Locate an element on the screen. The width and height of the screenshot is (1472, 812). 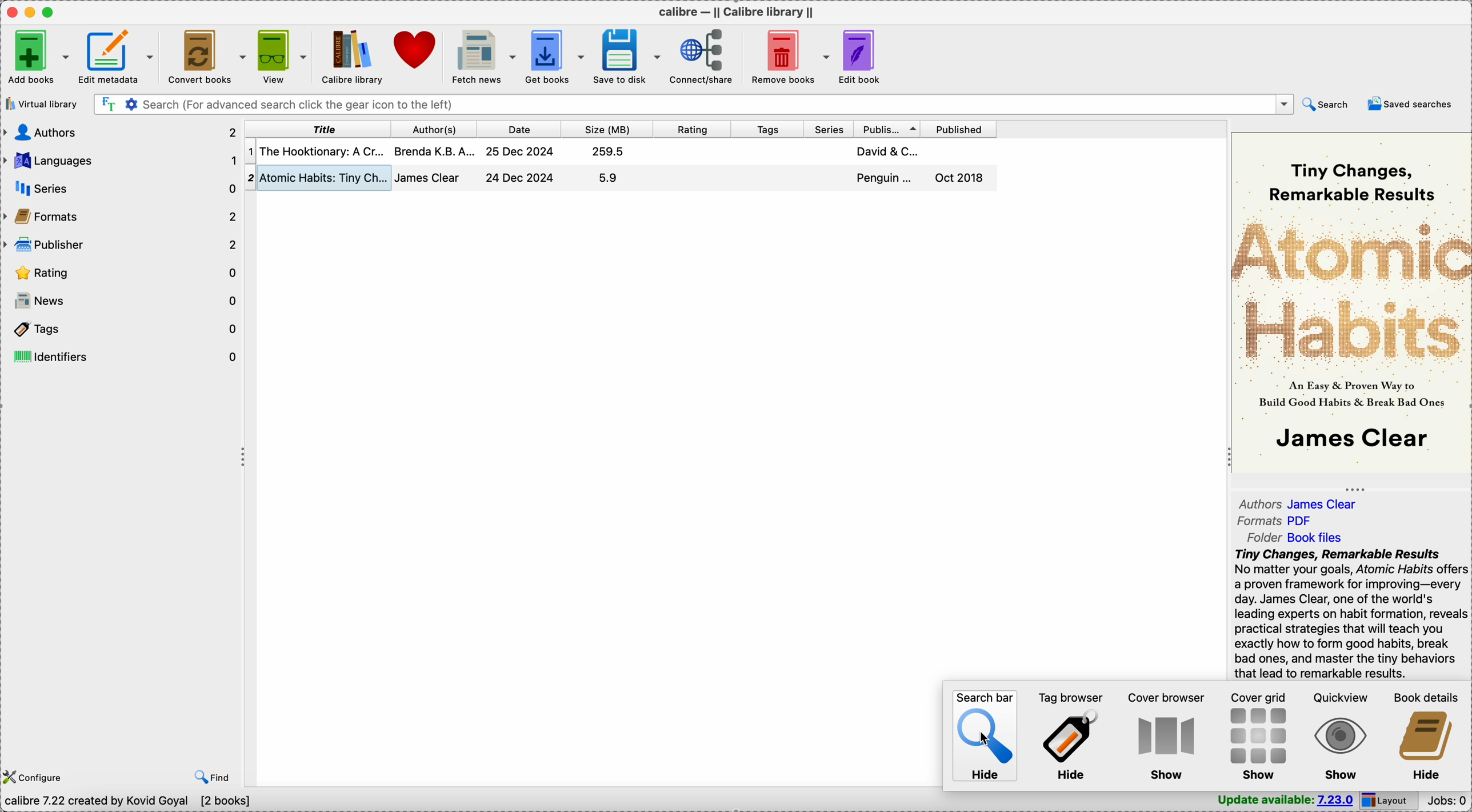
layout is located at coordinates (1391, 800).